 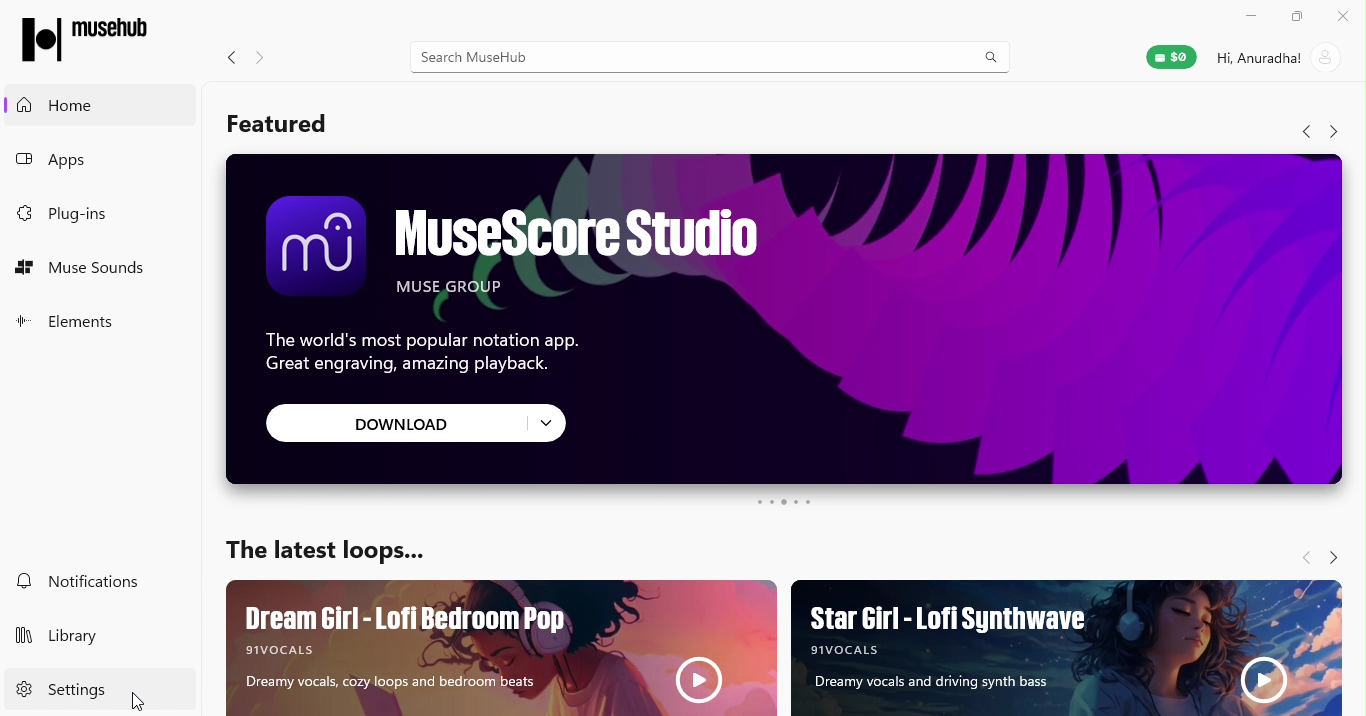 I want to click on Elements, so click(x=79, y=322).